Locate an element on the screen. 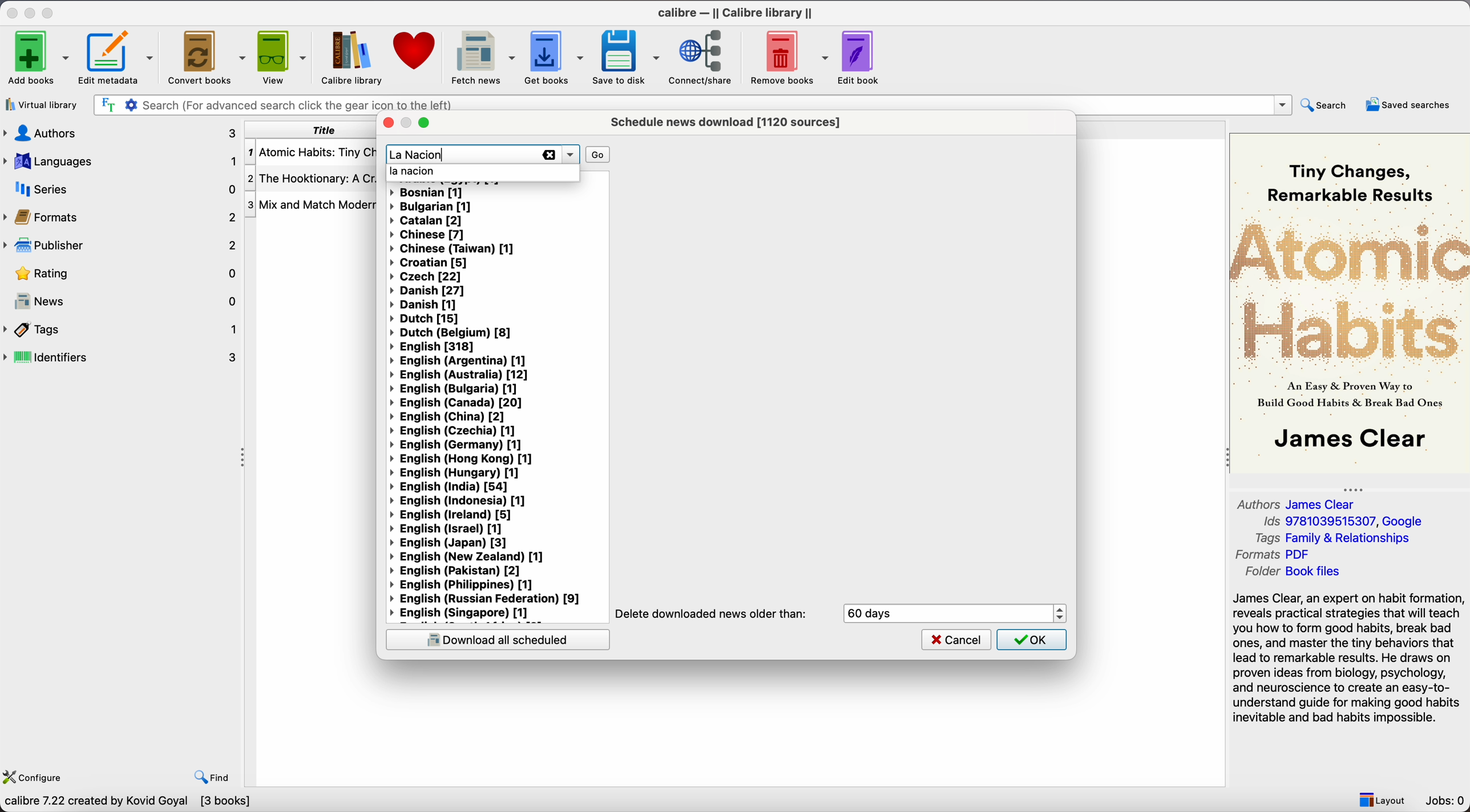 The width and height of the screenshot is (1470, 812). Ids 9781039515307, Google is located at coordinates (1347, 522).